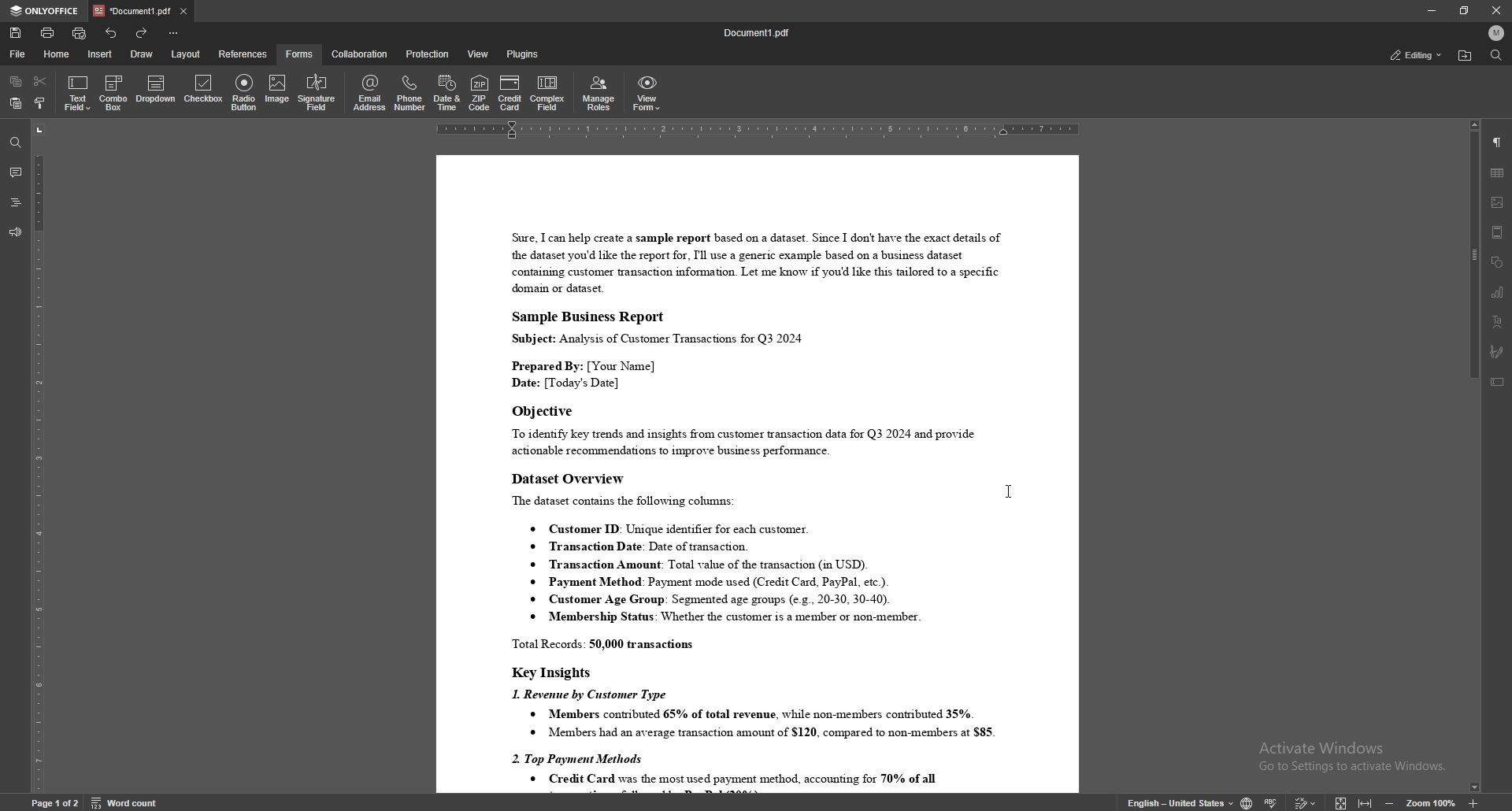 Image resolution: width=1512 pixels, height=811 pixels. What do you see at coordinates (16, 202) in the screenshot?
I see `headings` at bounding box center [16, 202].